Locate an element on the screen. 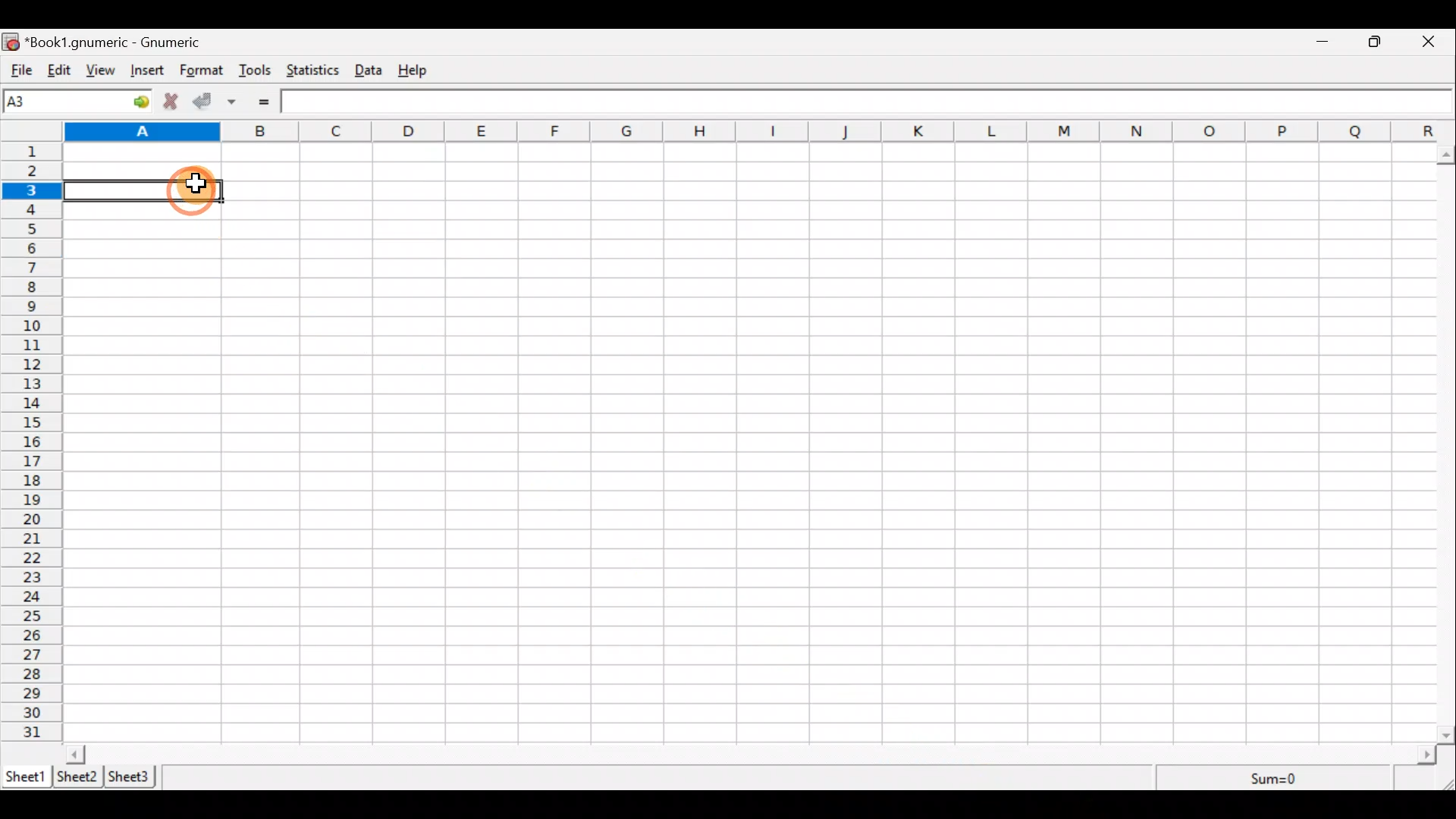  Sum=0 is located at coordinates (1276, 780).